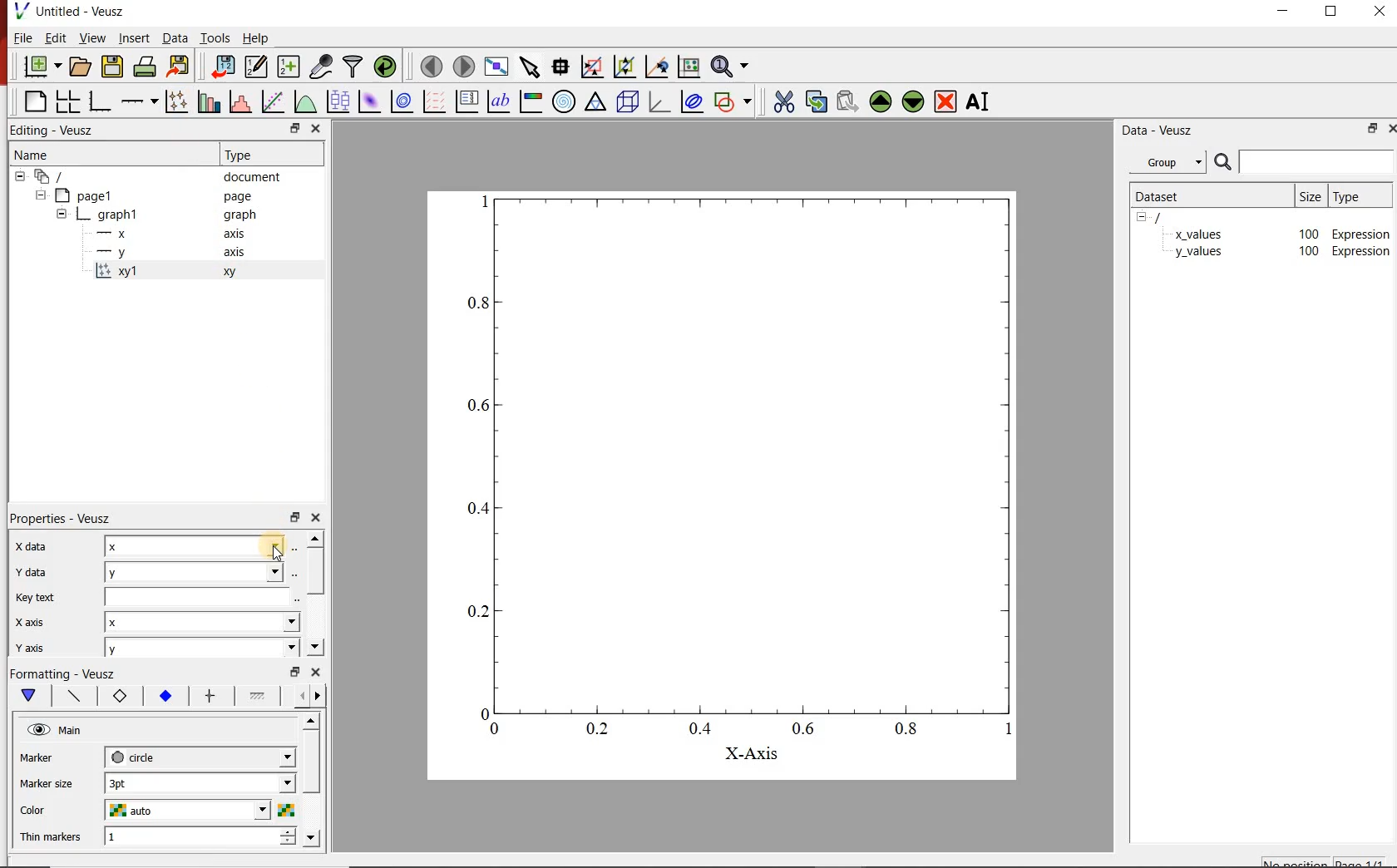  What do you see at coordinates (383, 67) in the screenshot?
I see `reload linked datasets` at bounding box center [383, 67].